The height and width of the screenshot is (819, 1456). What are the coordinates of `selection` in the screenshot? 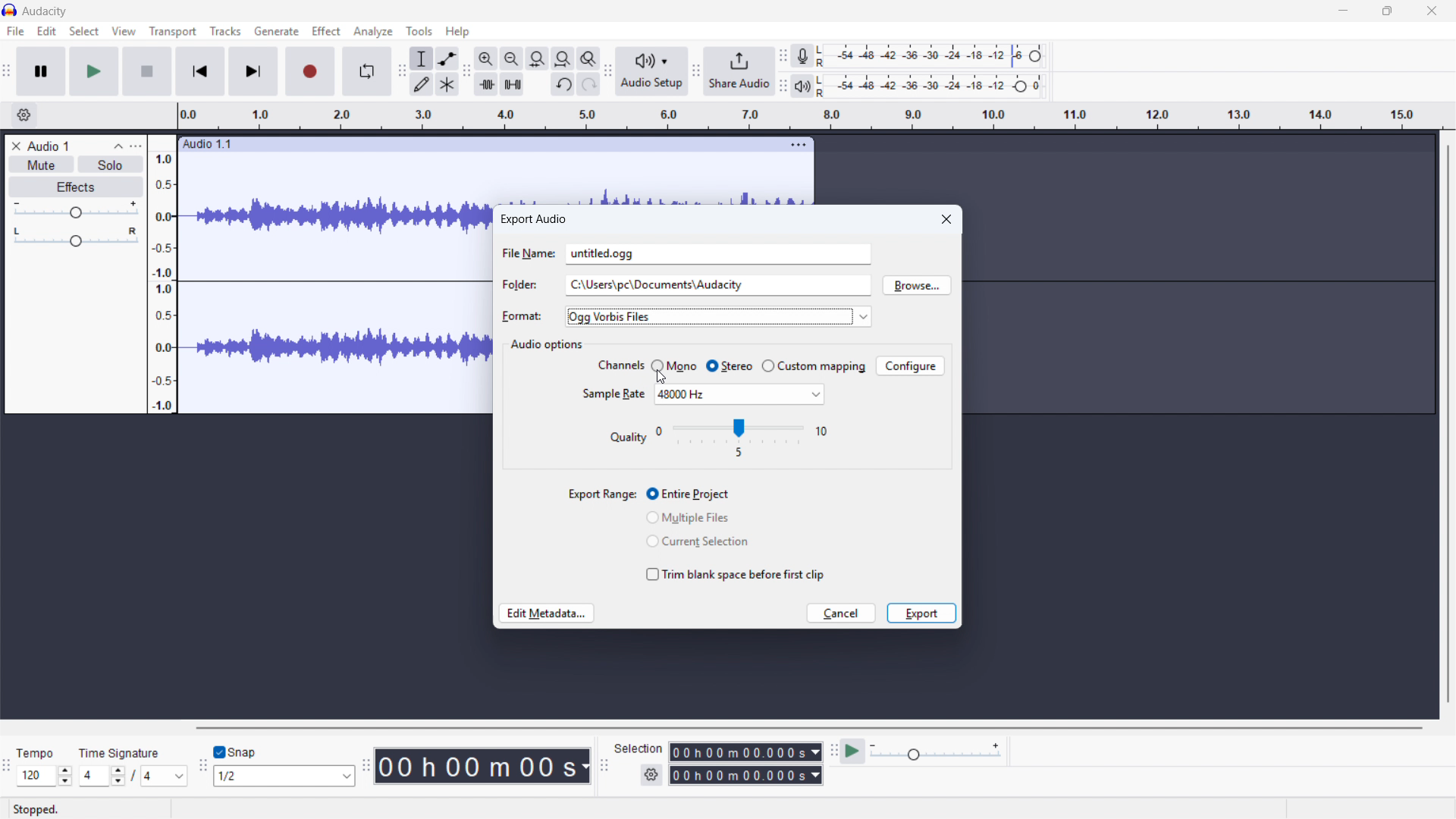 It's located at (639, 748).